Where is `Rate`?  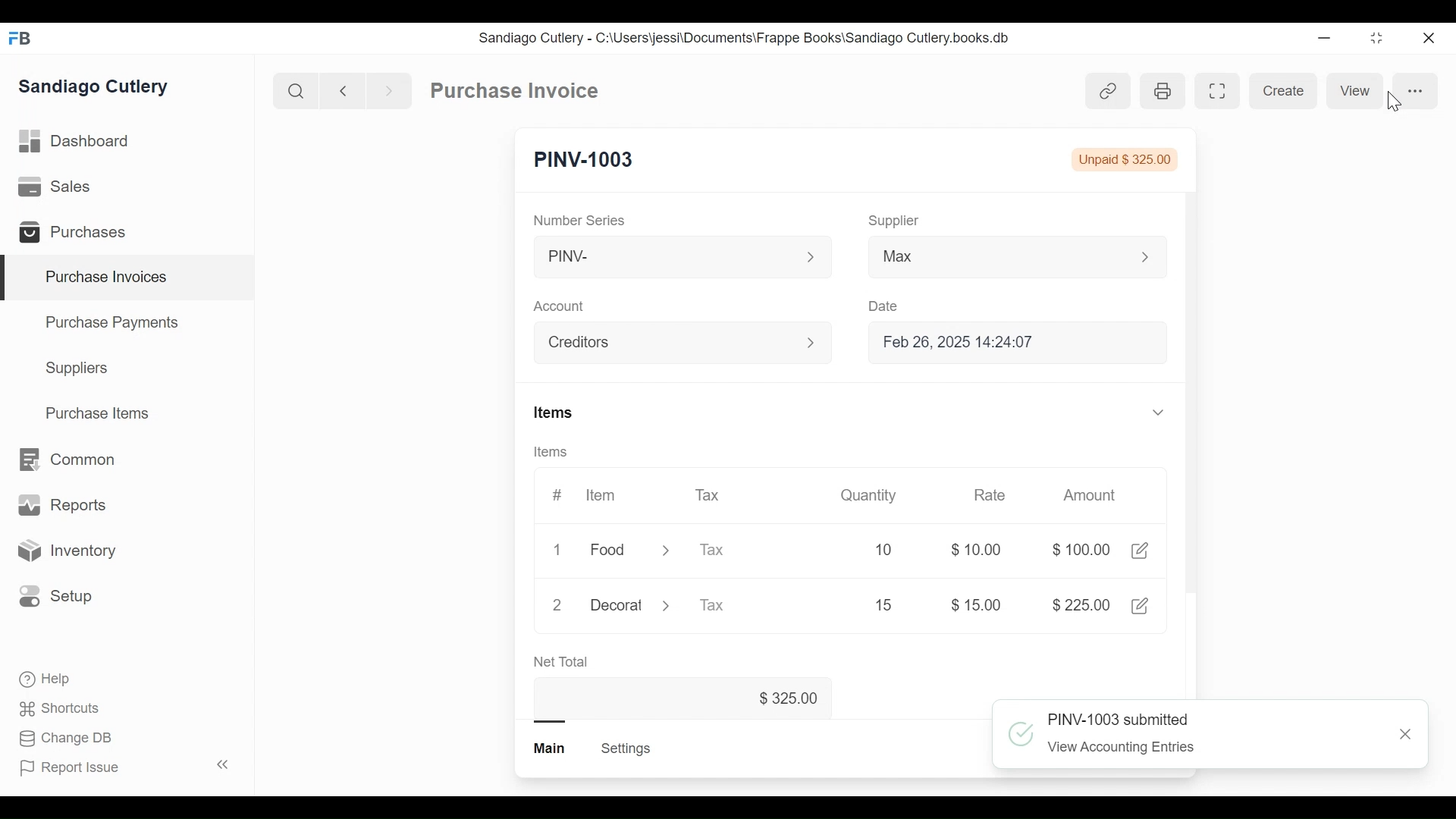
Rate is located at coordinates (988, 494).